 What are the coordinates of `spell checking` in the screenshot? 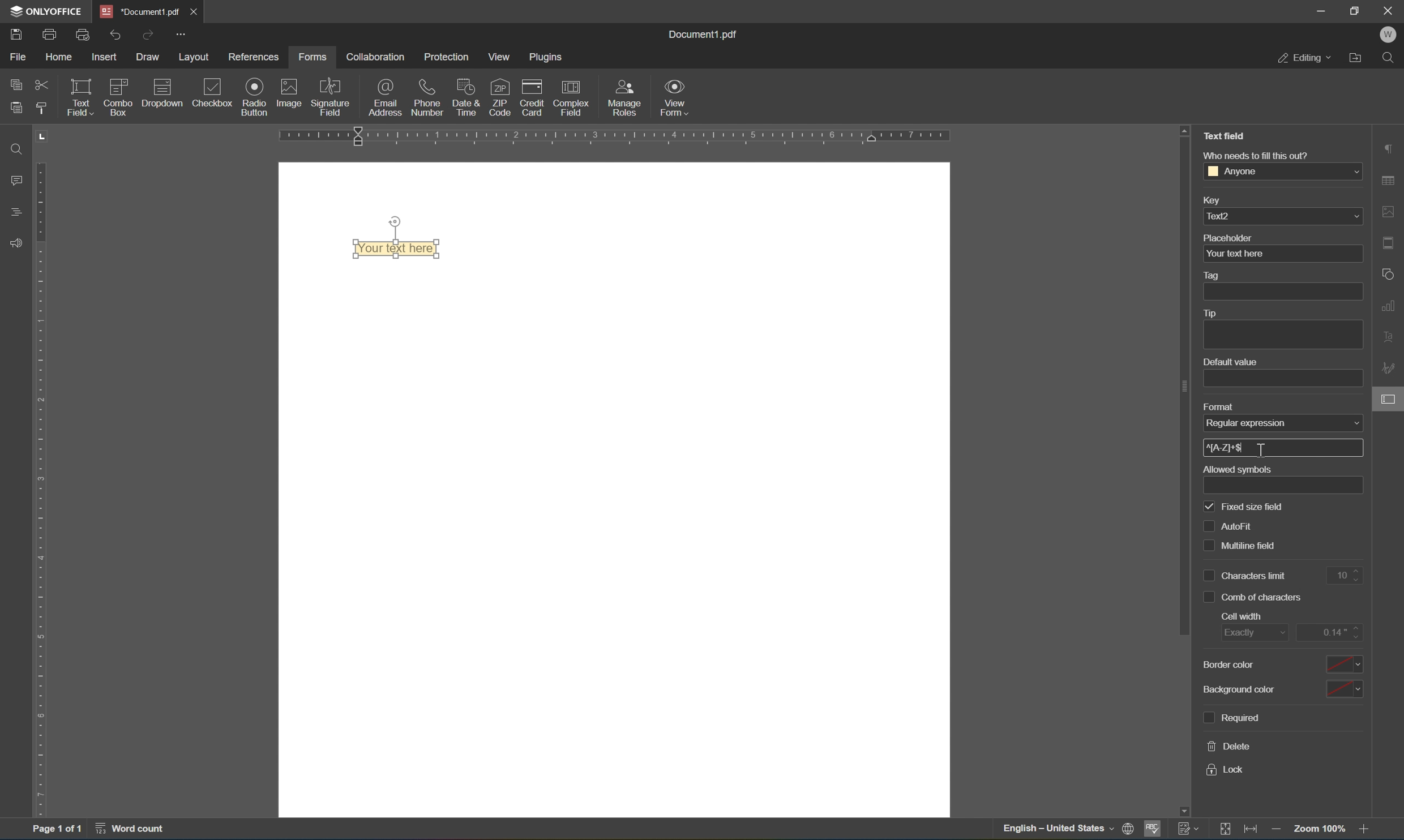 It's located at (1154, 829).